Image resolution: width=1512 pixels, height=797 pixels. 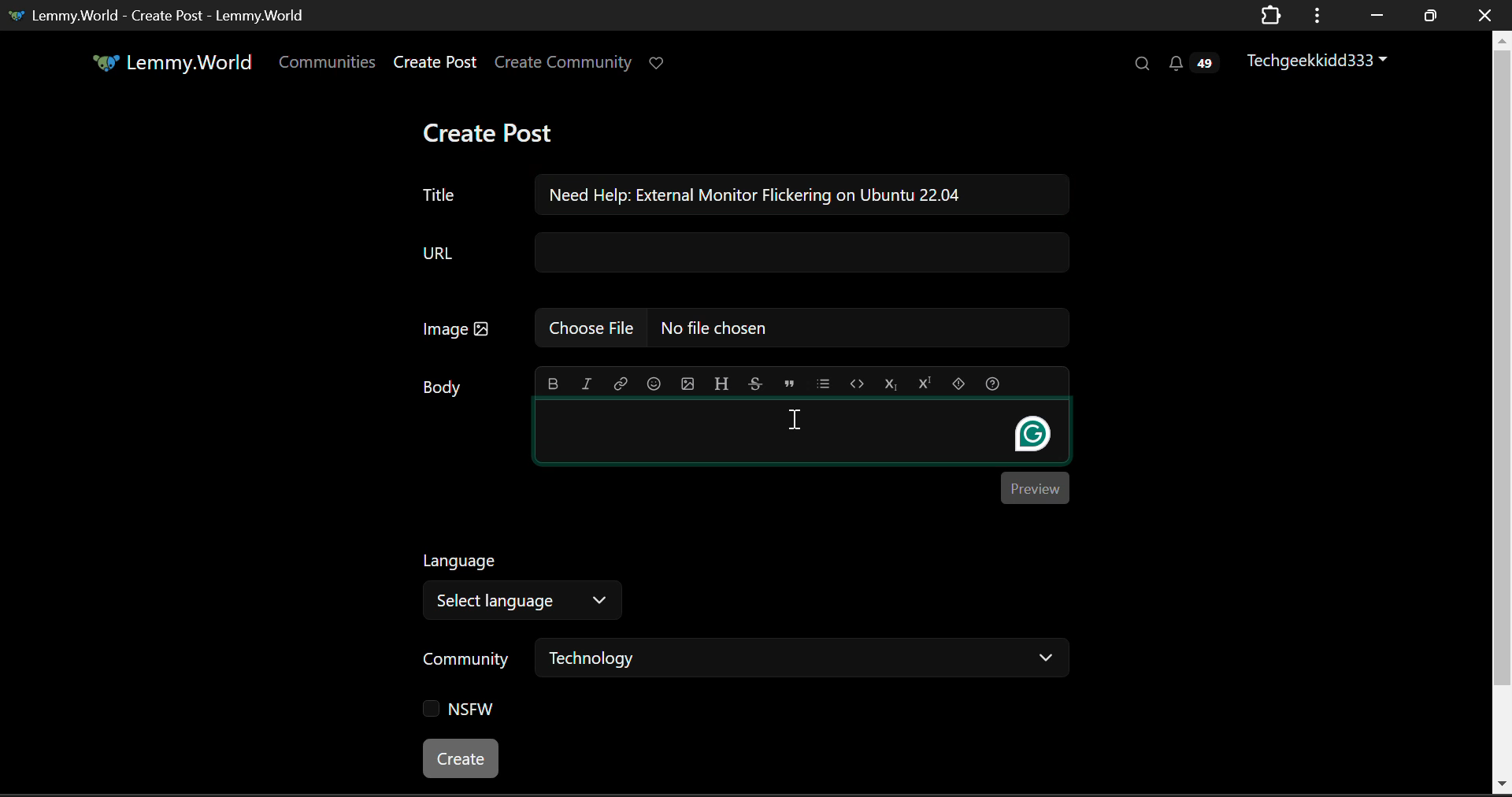 What do you see at coordinates (1140, 63) in the screenshot?
I see `Search` at bounding box center [1140, 63].